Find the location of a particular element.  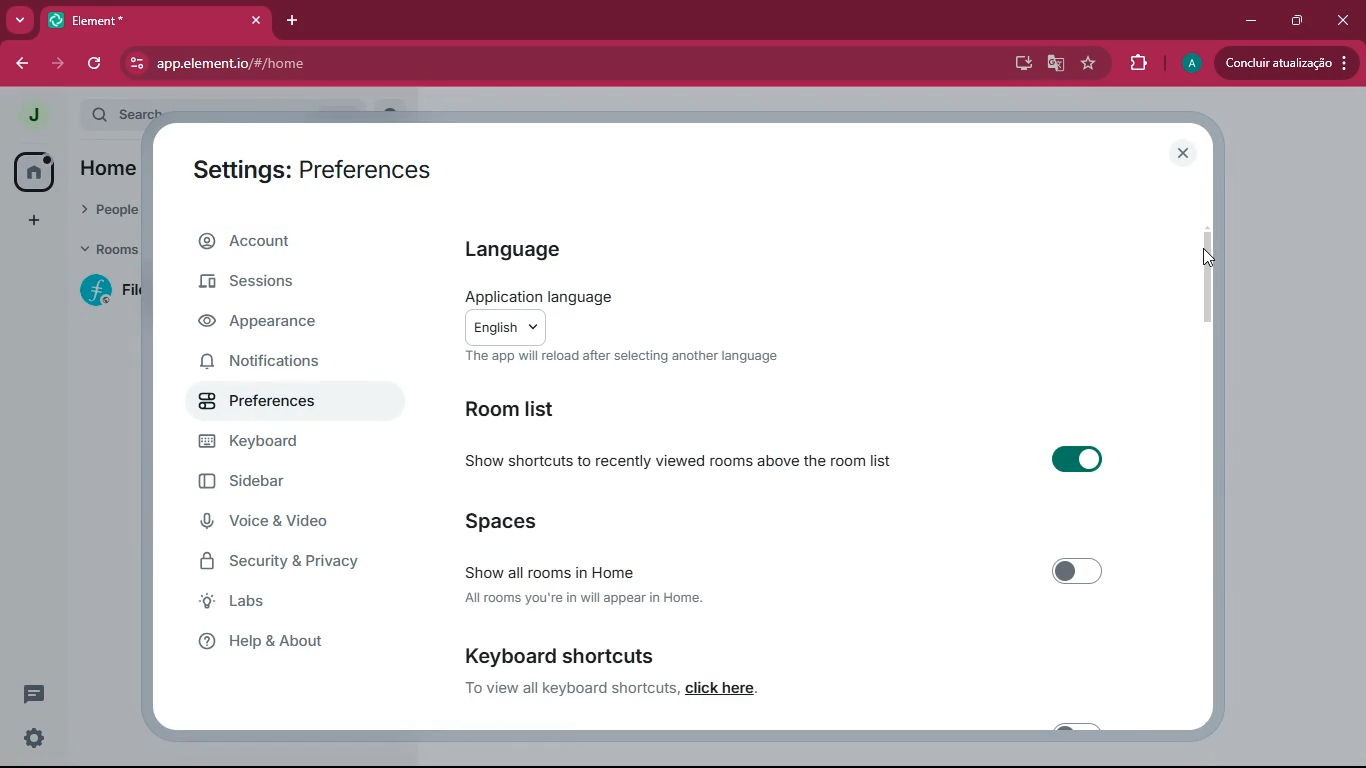

click here is located at coordinates (724, 689).